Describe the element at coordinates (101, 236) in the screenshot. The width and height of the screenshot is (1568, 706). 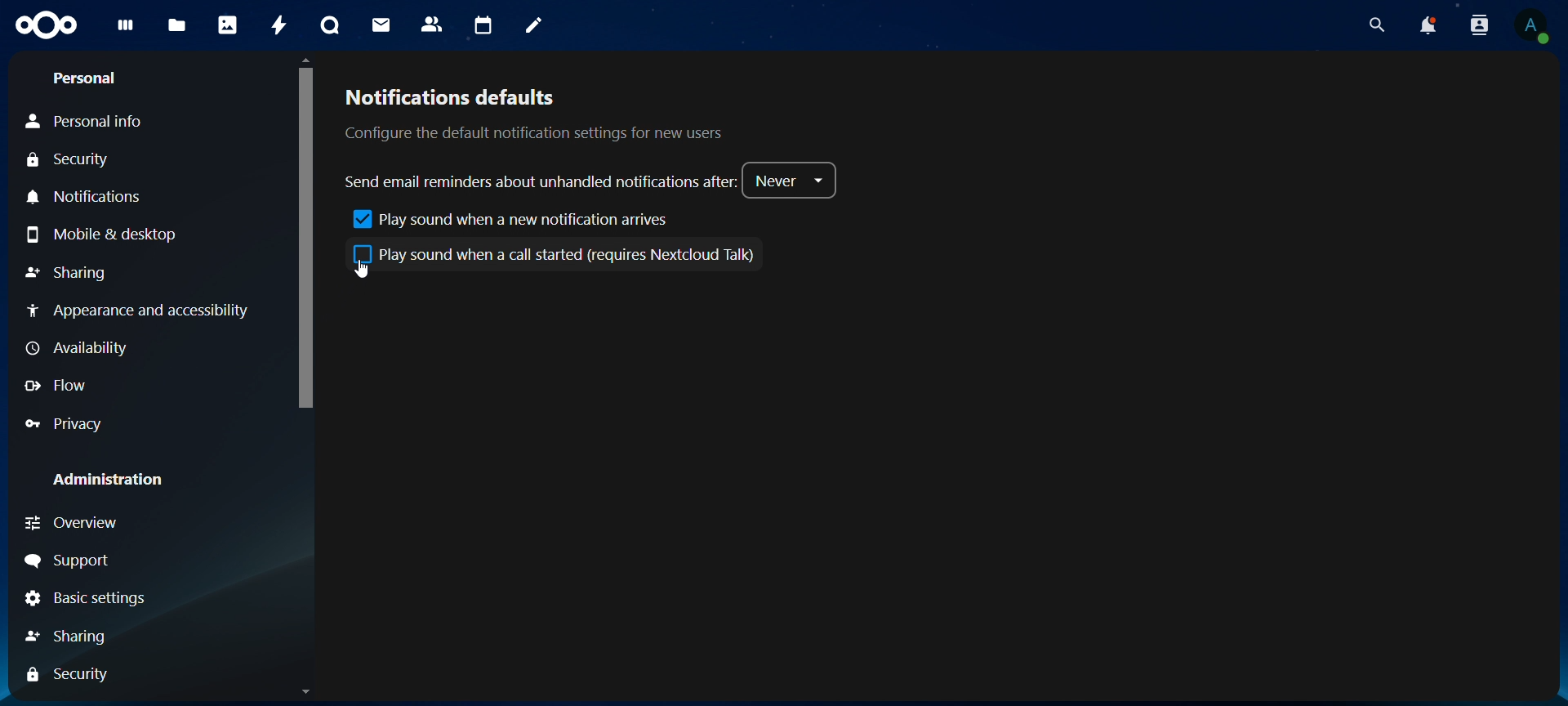
I see `Mobile & desktop` at that location.